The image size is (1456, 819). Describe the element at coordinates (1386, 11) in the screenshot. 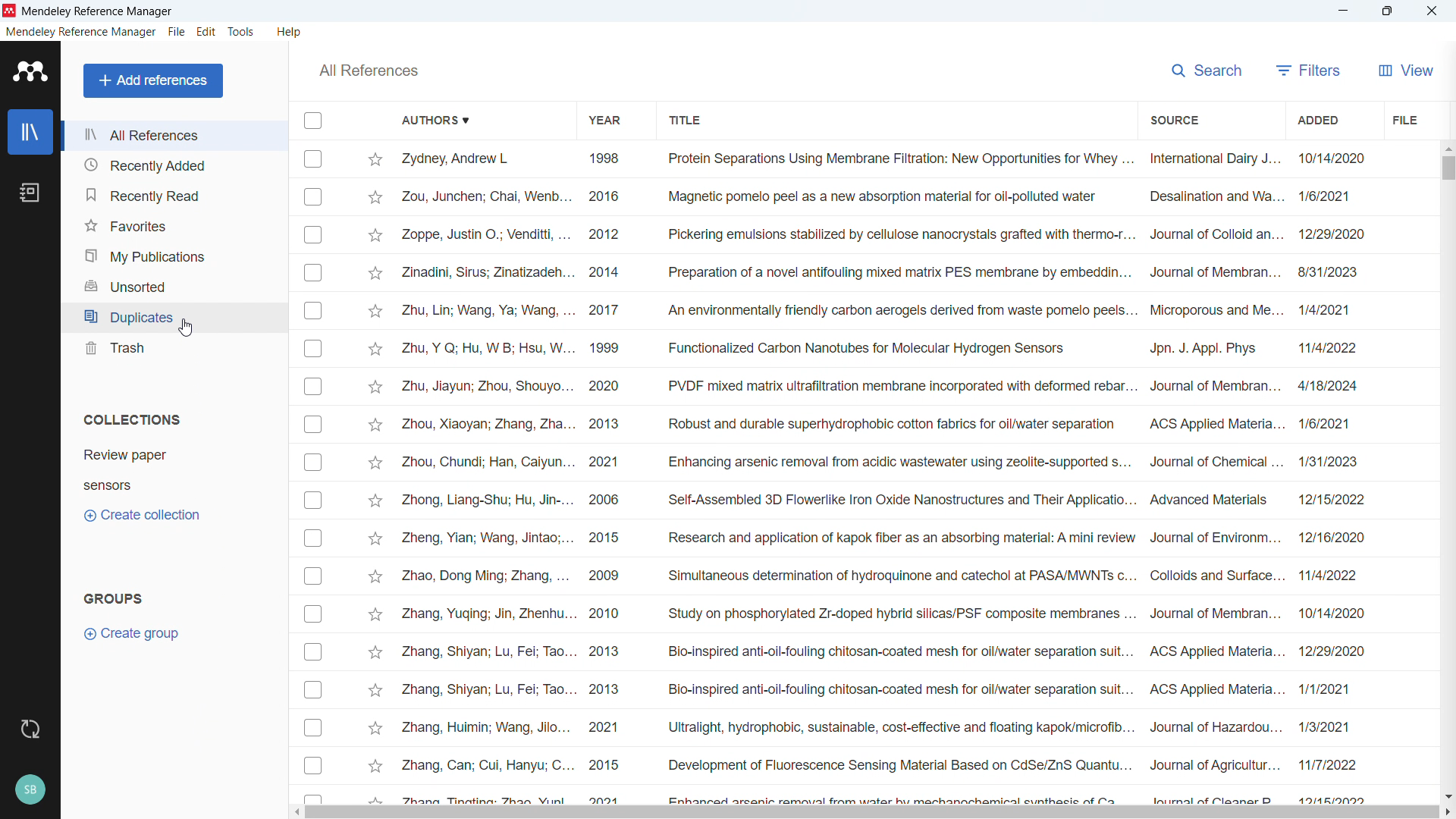

I see `Maximise ` at that location.